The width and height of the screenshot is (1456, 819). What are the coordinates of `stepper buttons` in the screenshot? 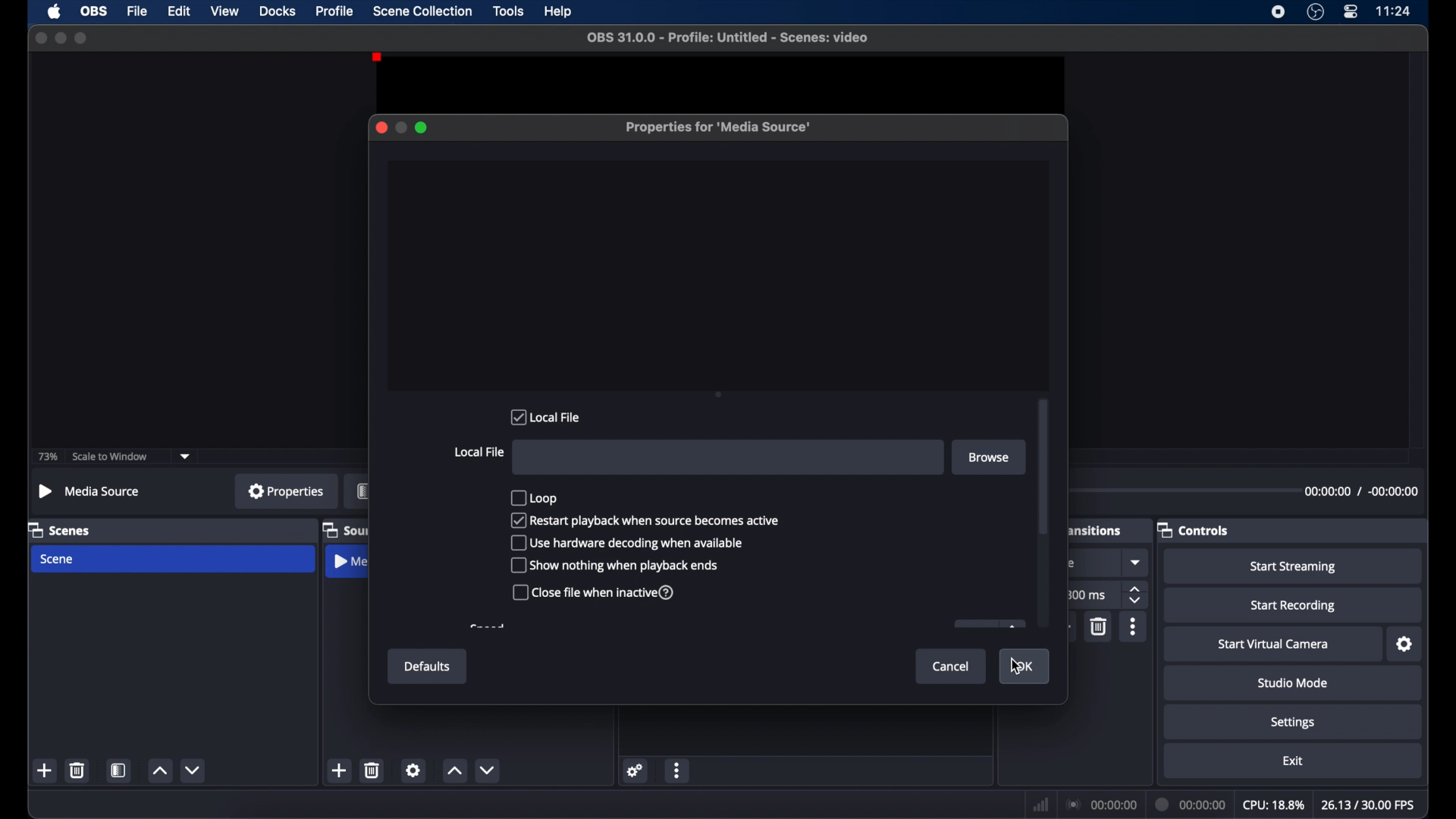 It's located at (1136, 595).